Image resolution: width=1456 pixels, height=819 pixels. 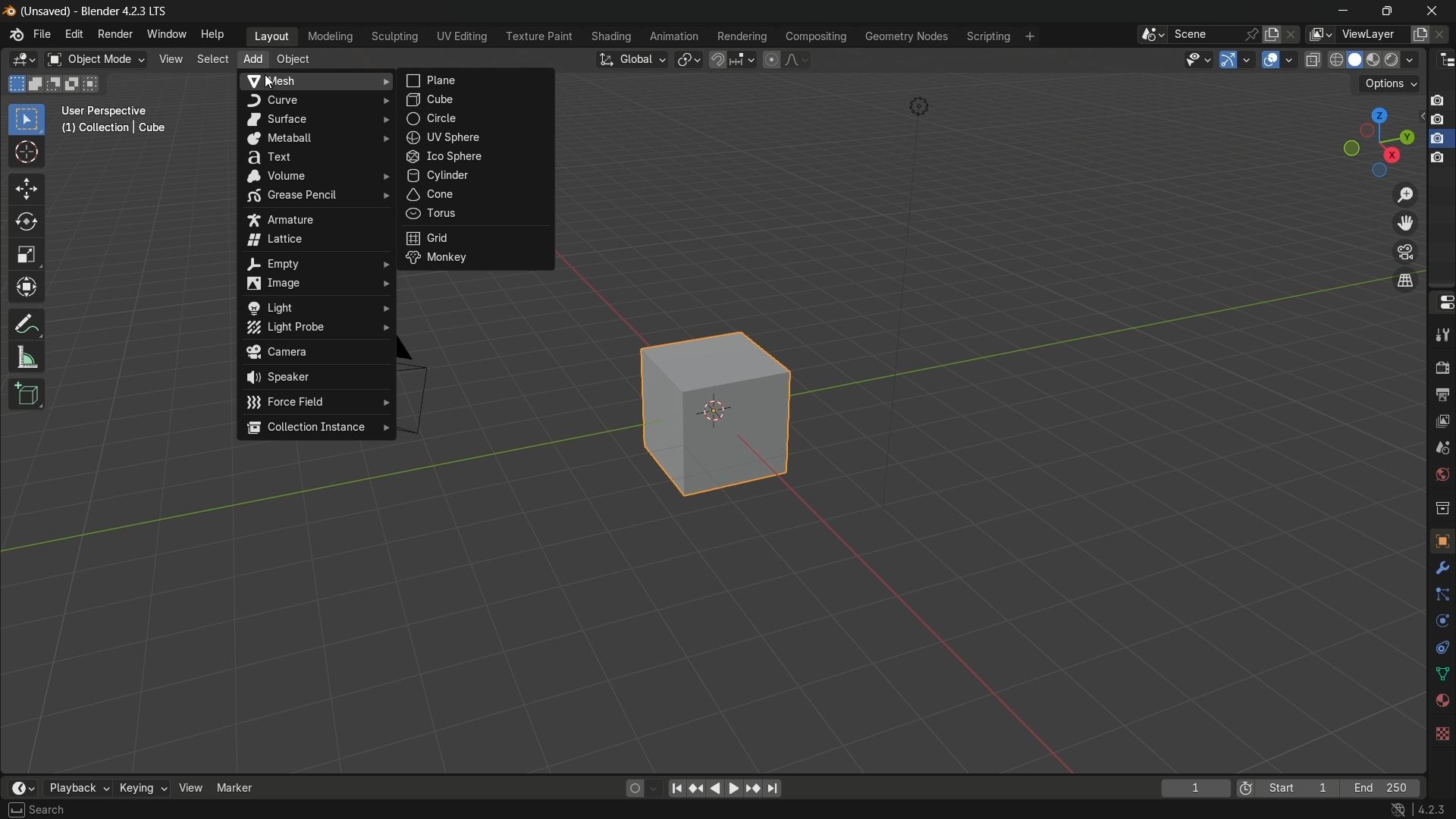 What do you see at coordinates (1440, 395) in the screenshot?
I see `output` at bounding box center [1440, 395].